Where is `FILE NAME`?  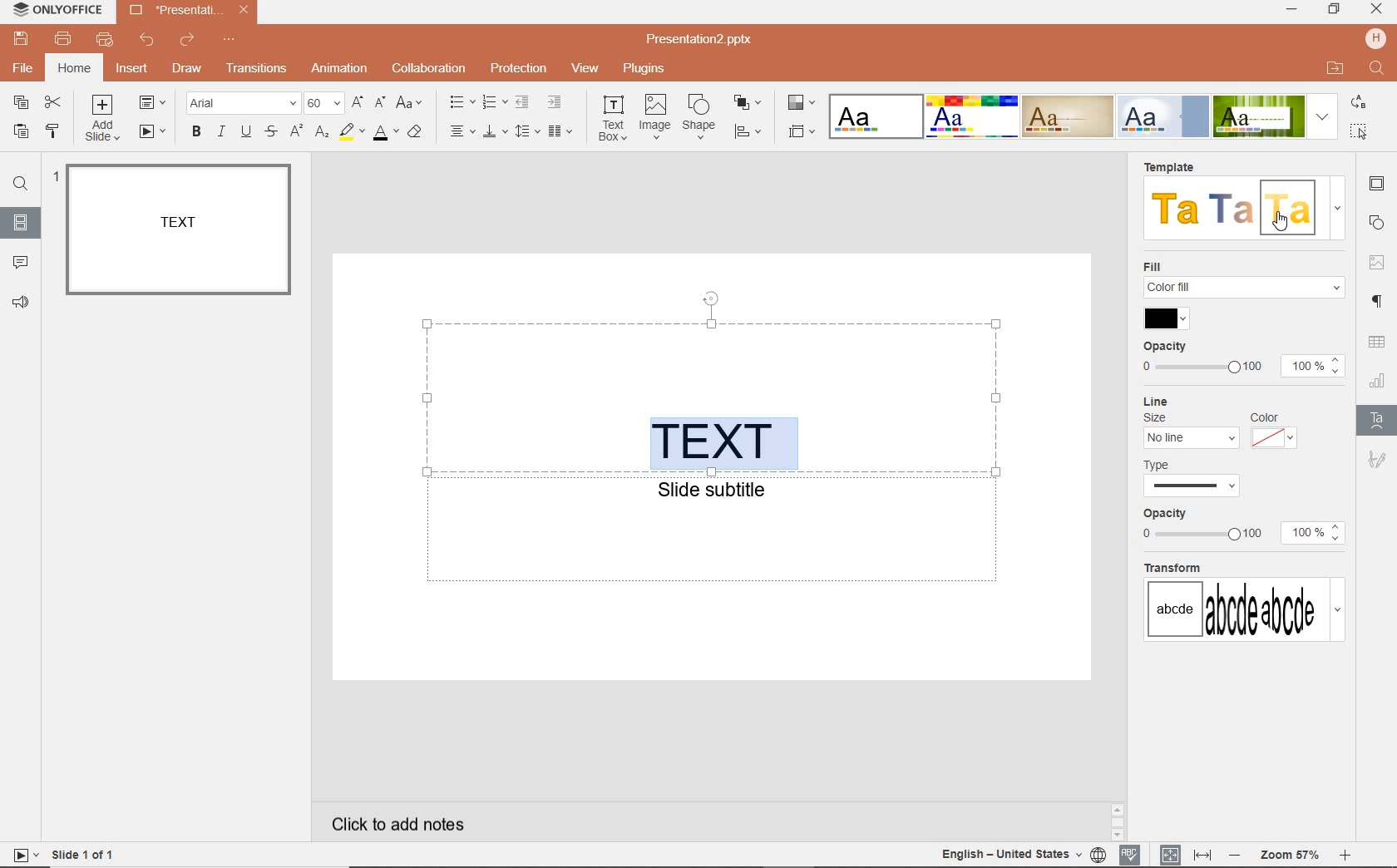
FILE NAME is located at coordinates (175, 9).